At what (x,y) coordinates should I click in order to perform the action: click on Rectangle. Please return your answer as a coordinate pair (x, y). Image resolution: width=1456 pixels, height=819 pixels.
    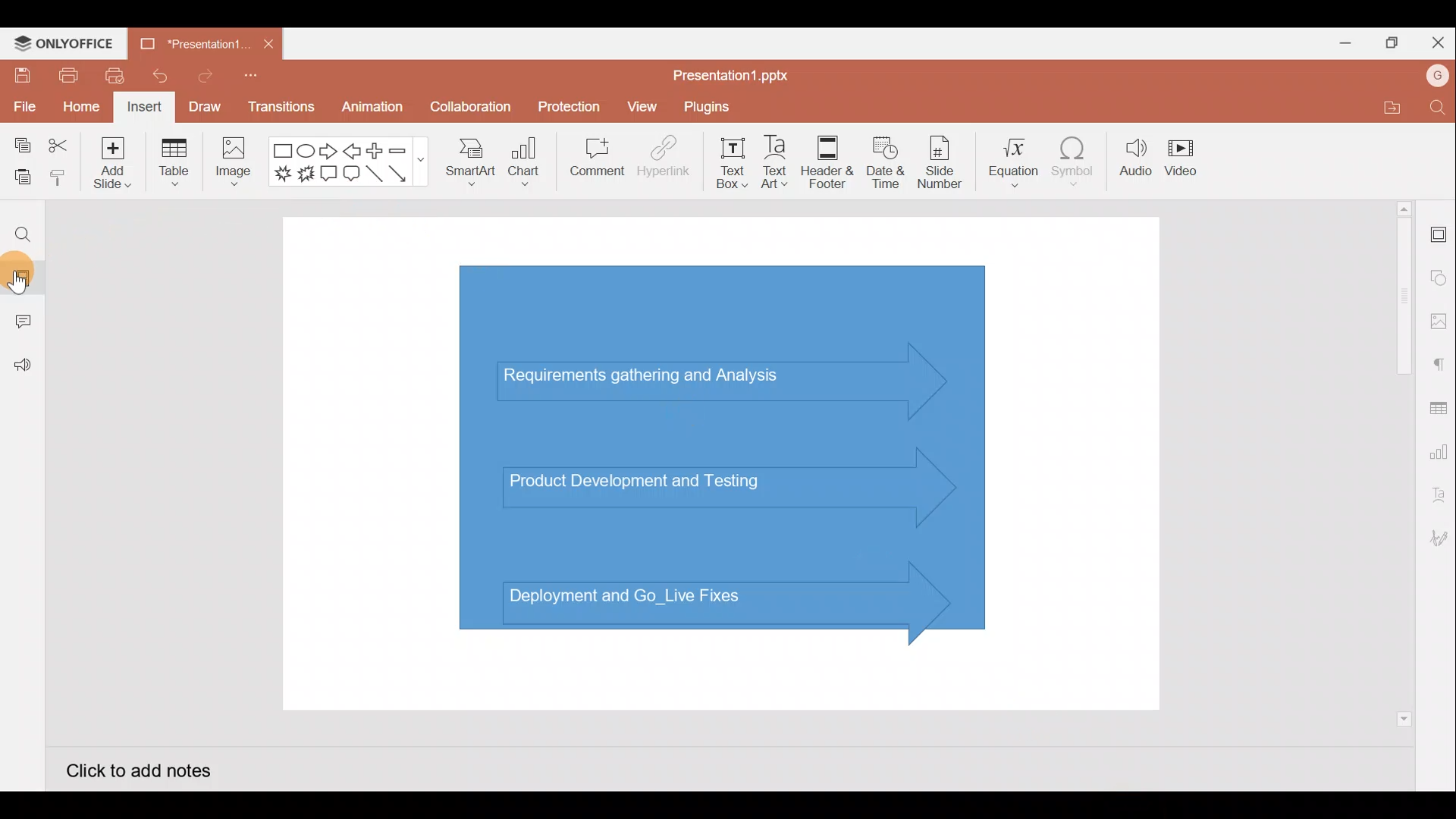
    Looking at the image, I should click on (279, 151).